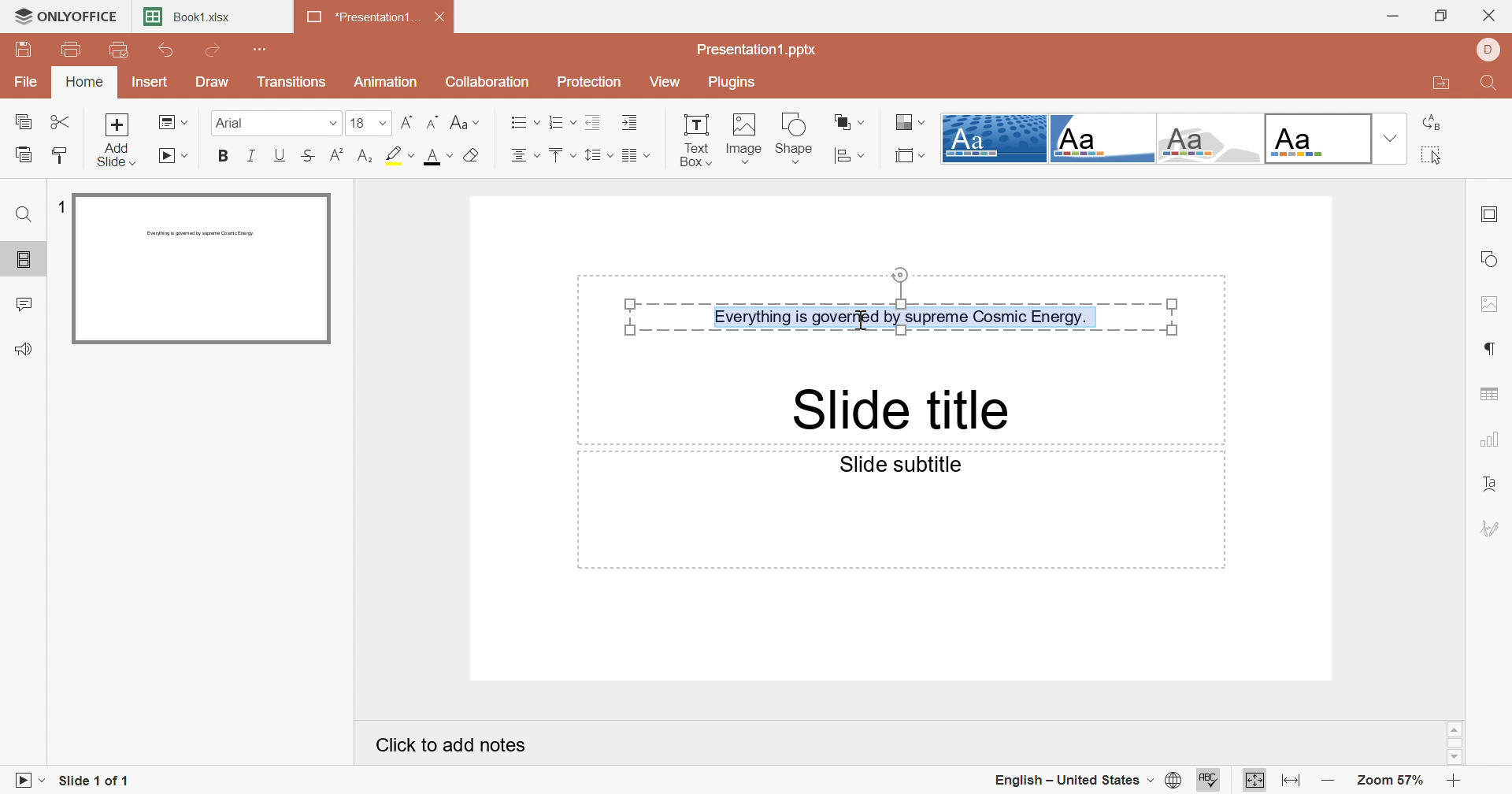 Image resolution: width=1512 pixels, height=794 pixels. I want to click on Corner, so click(1101, 139).